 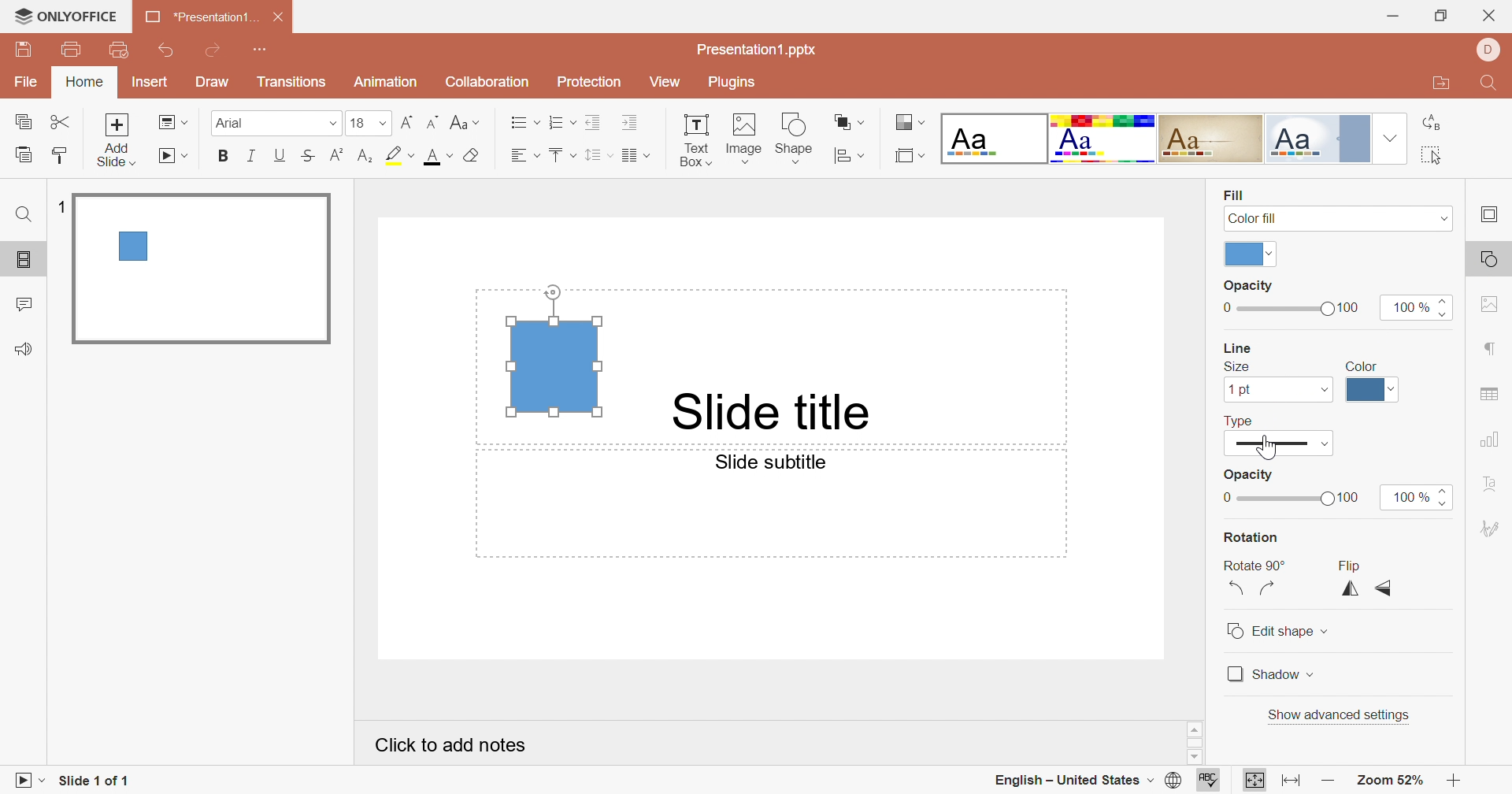 What do you see at coordinates (1392, 17) in the screenshot?
I see `Minimize` at bounding box center [1392, 17].